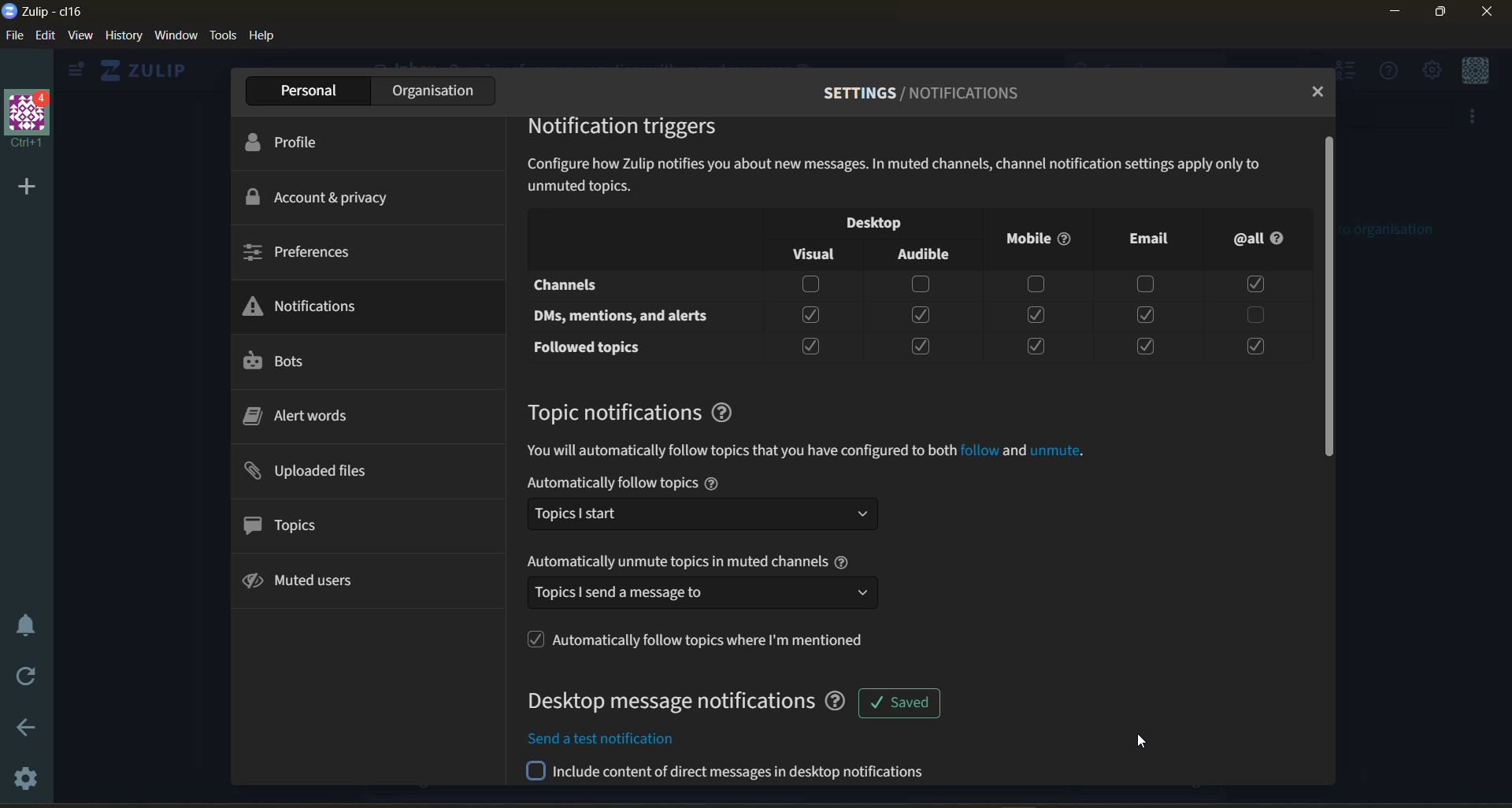 The height and width of the screenshot is (808, 1512). Describe the element at coordinates (301, 254) in the screenshot. I see `preferences` at that location.